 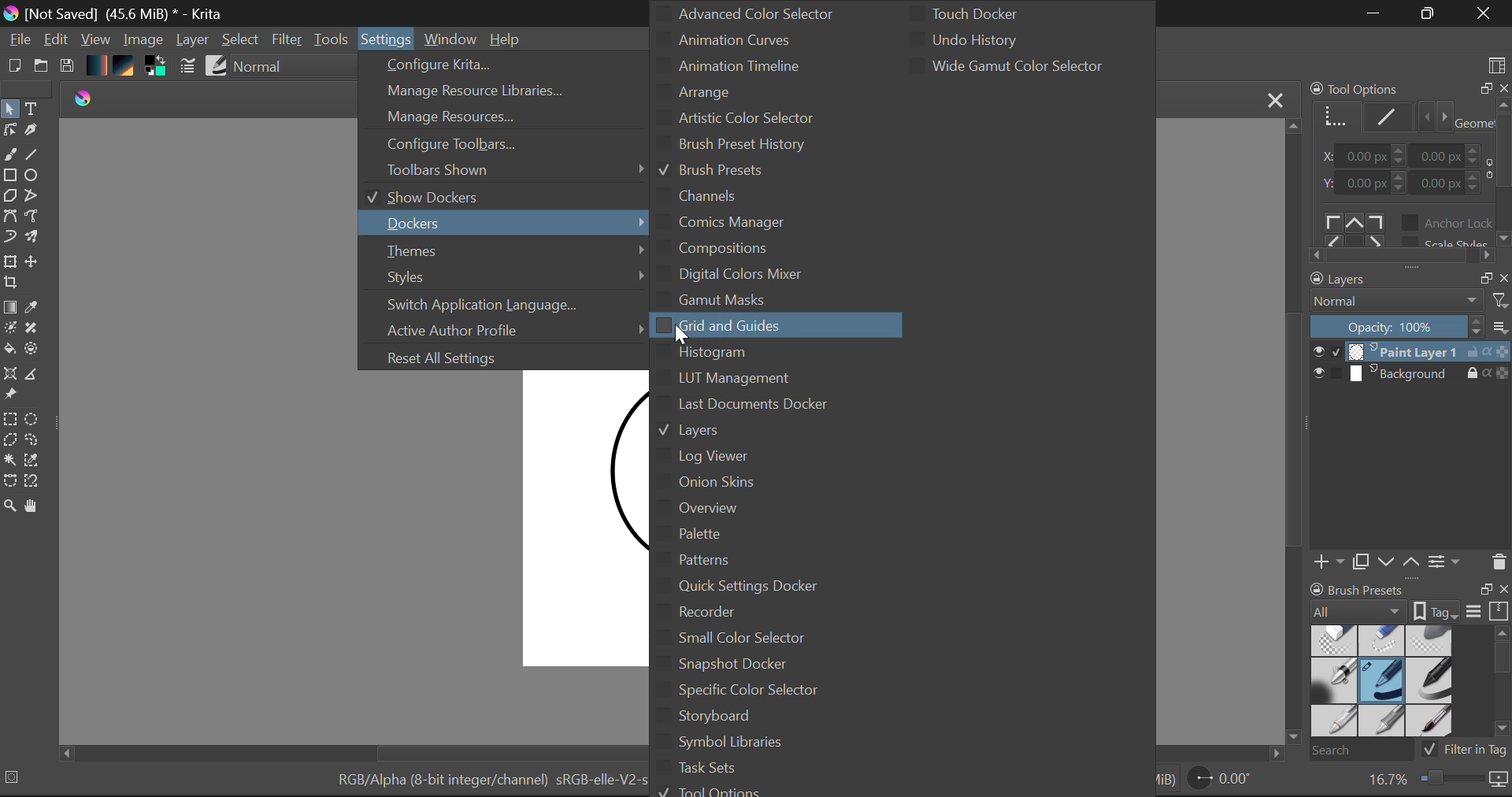 I want to click on Layers, so click(x=1411, y=362).